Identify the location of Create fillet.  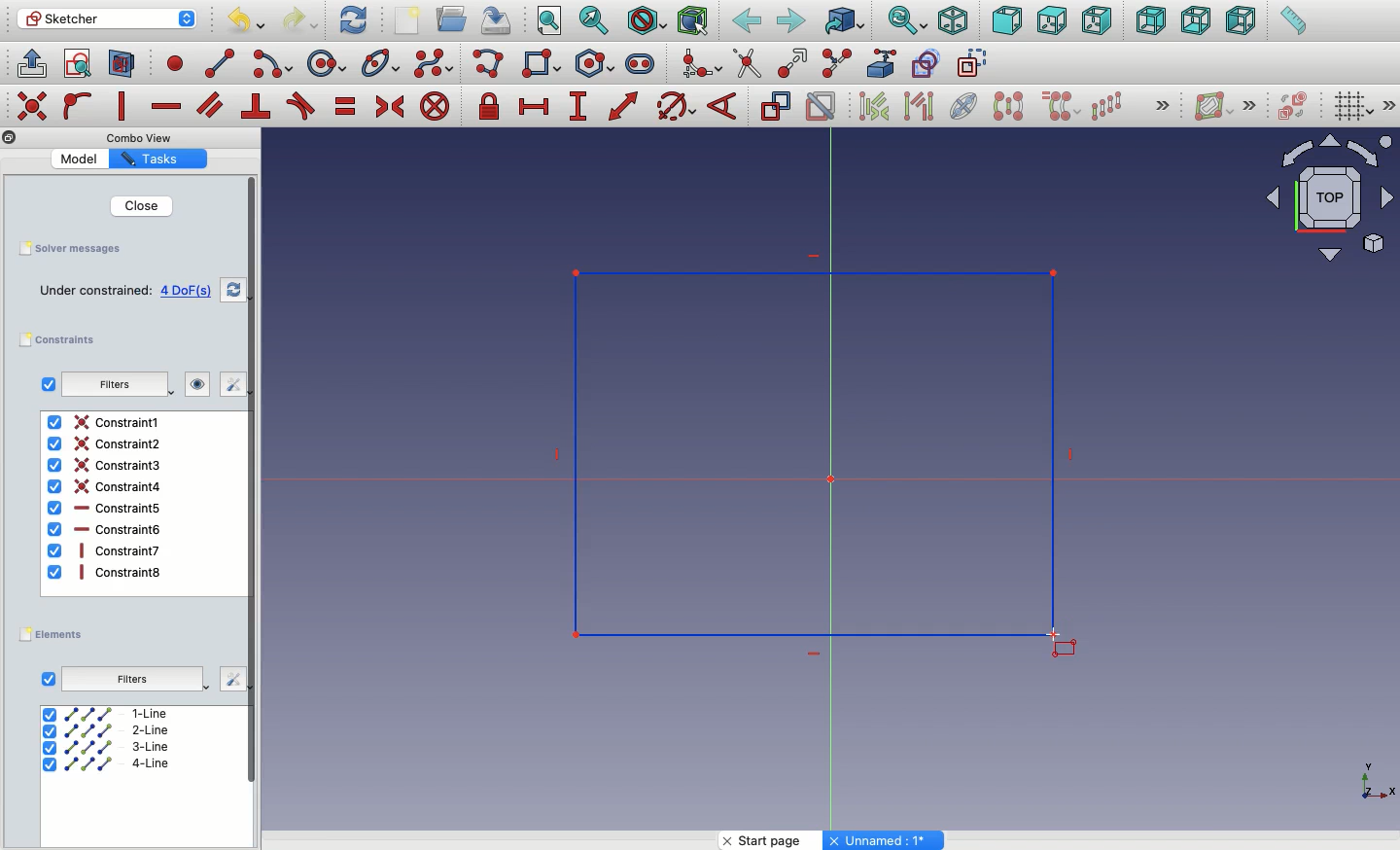
(700, 65).